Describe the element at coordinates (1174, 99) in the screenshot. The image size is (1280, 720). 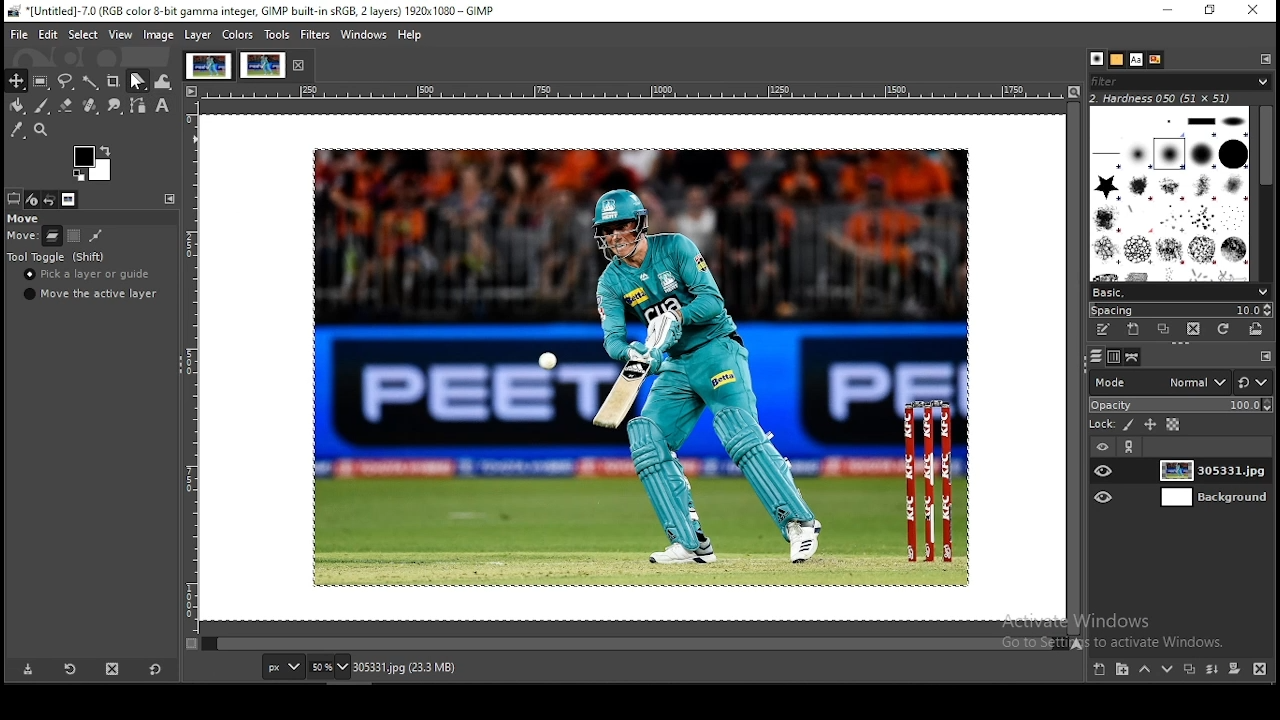
I see `hardness 050 (51x51)` at that location.